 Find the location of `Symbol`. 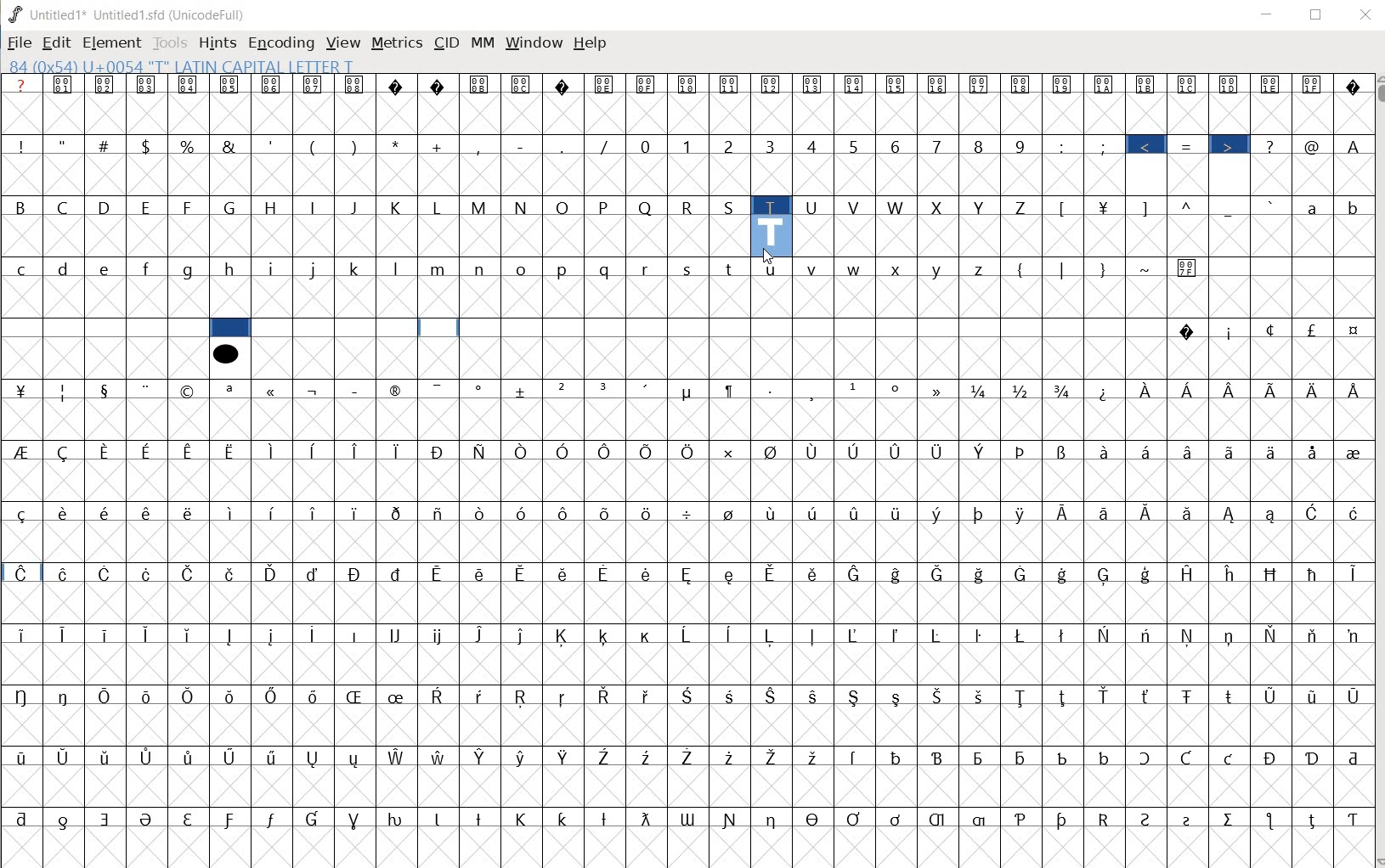

Symbol is located at coordinates (399, 449).